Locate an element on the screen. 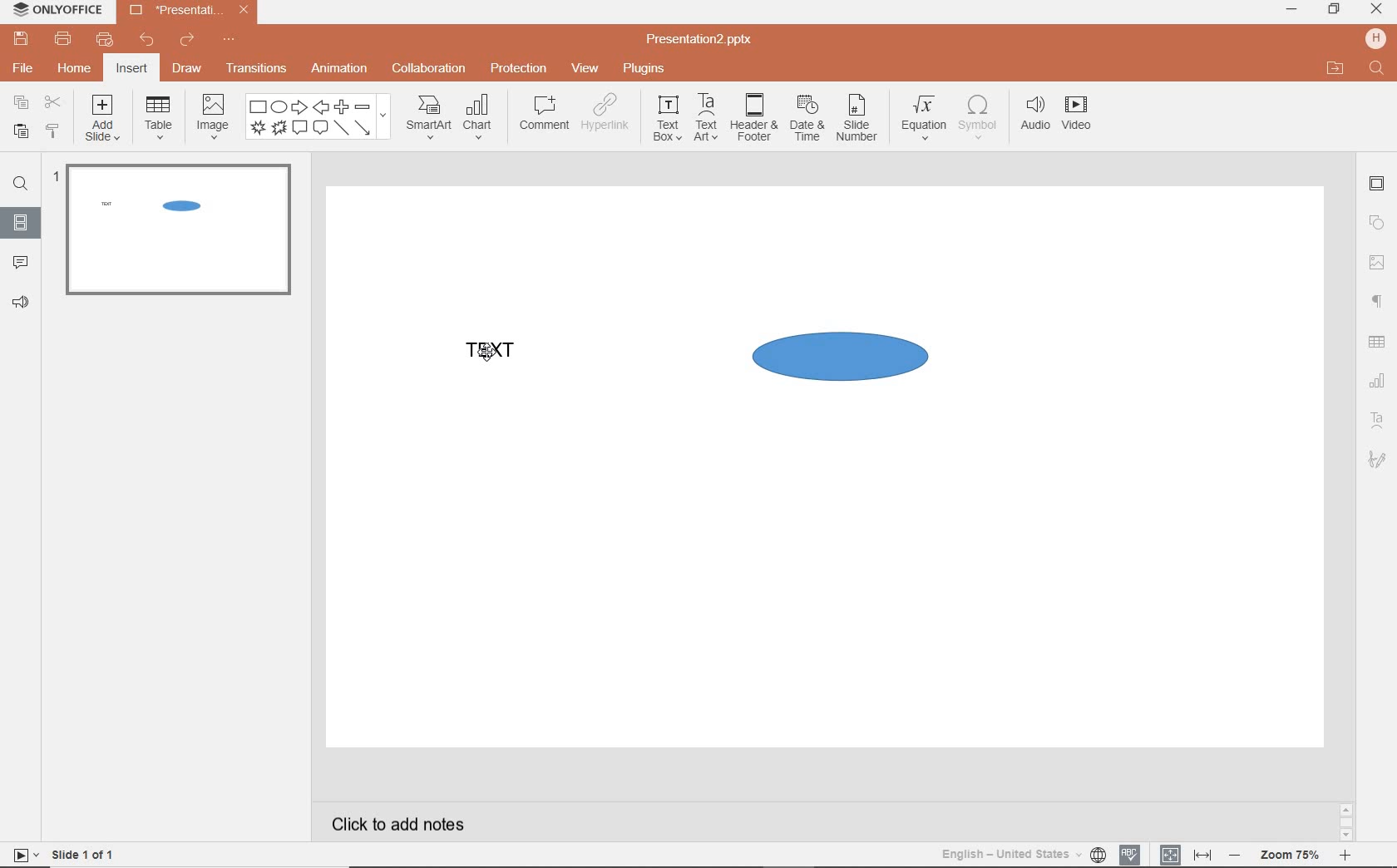  animation is located at coordinates (338, 70).